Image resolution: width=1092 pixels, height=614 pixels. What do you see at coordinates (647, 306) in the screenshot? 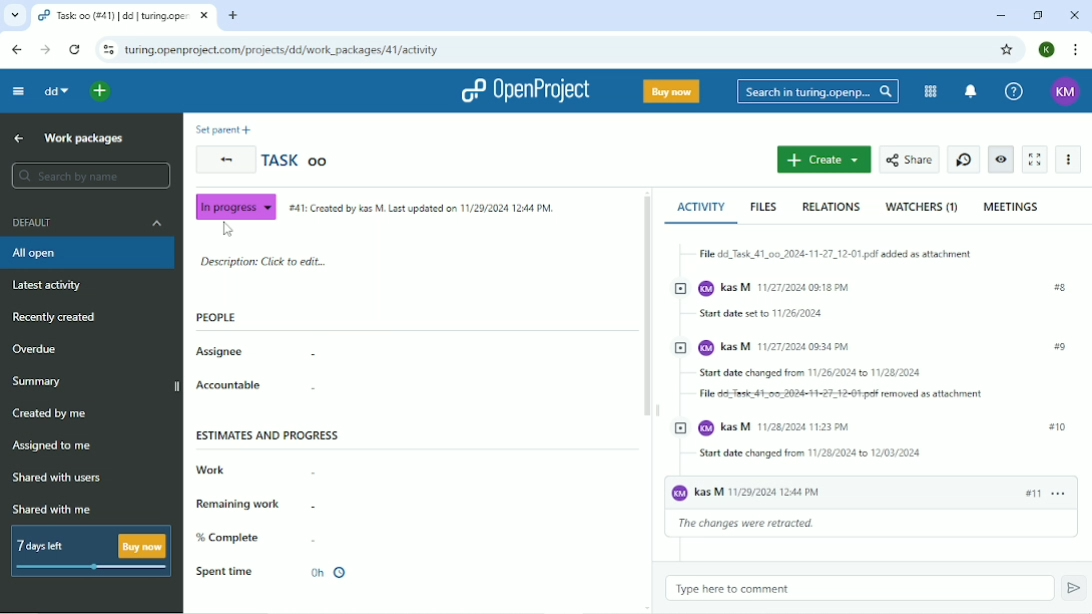
I see `Vertical scrollbar` at bounding box center [647, 306].